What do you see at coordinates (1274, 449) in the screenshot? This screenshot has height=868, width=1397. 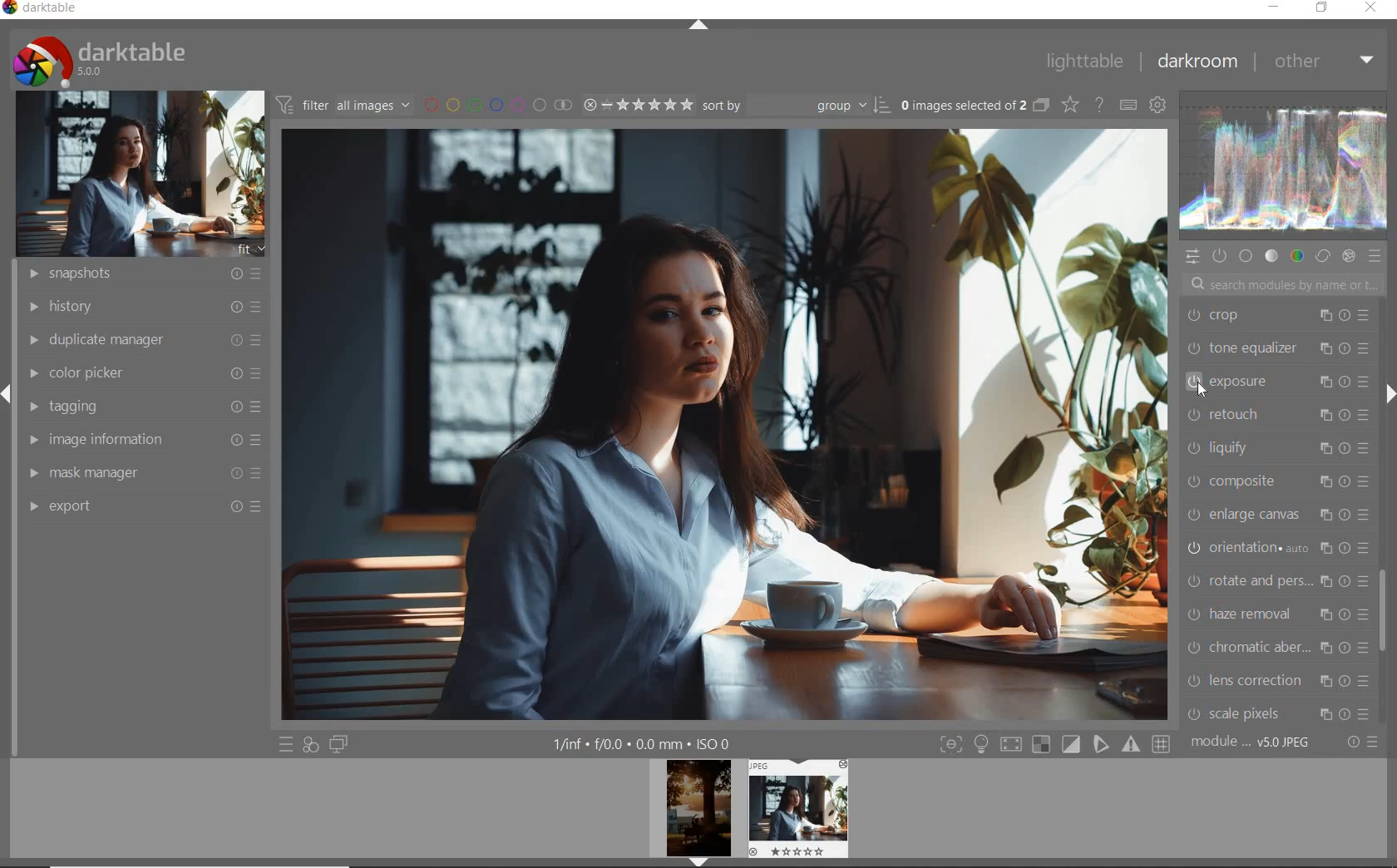 I see `LIQUIFY` at bounding box center [1274, 449].